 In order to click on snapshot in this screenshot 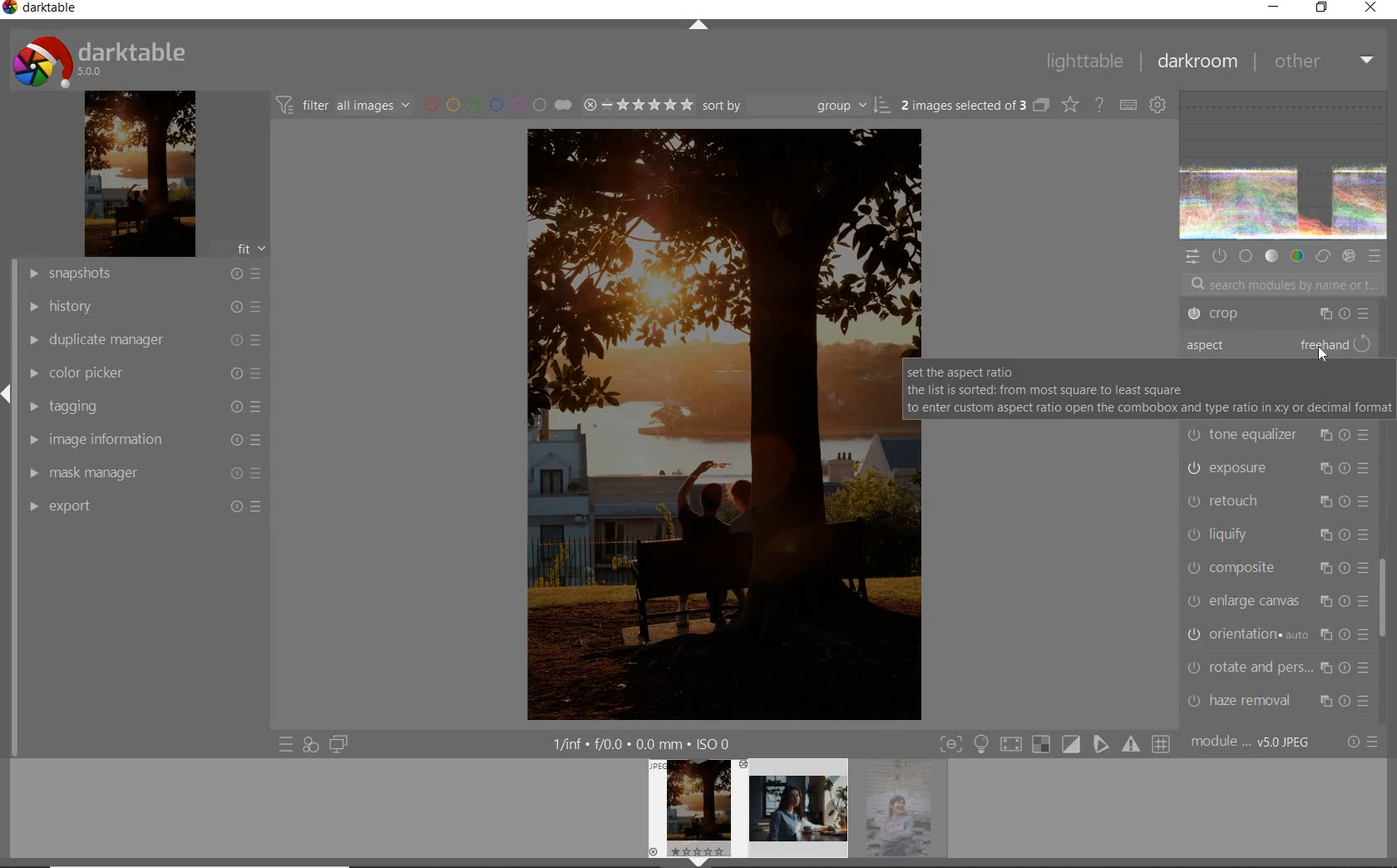, I will do `click(144, 275)`.